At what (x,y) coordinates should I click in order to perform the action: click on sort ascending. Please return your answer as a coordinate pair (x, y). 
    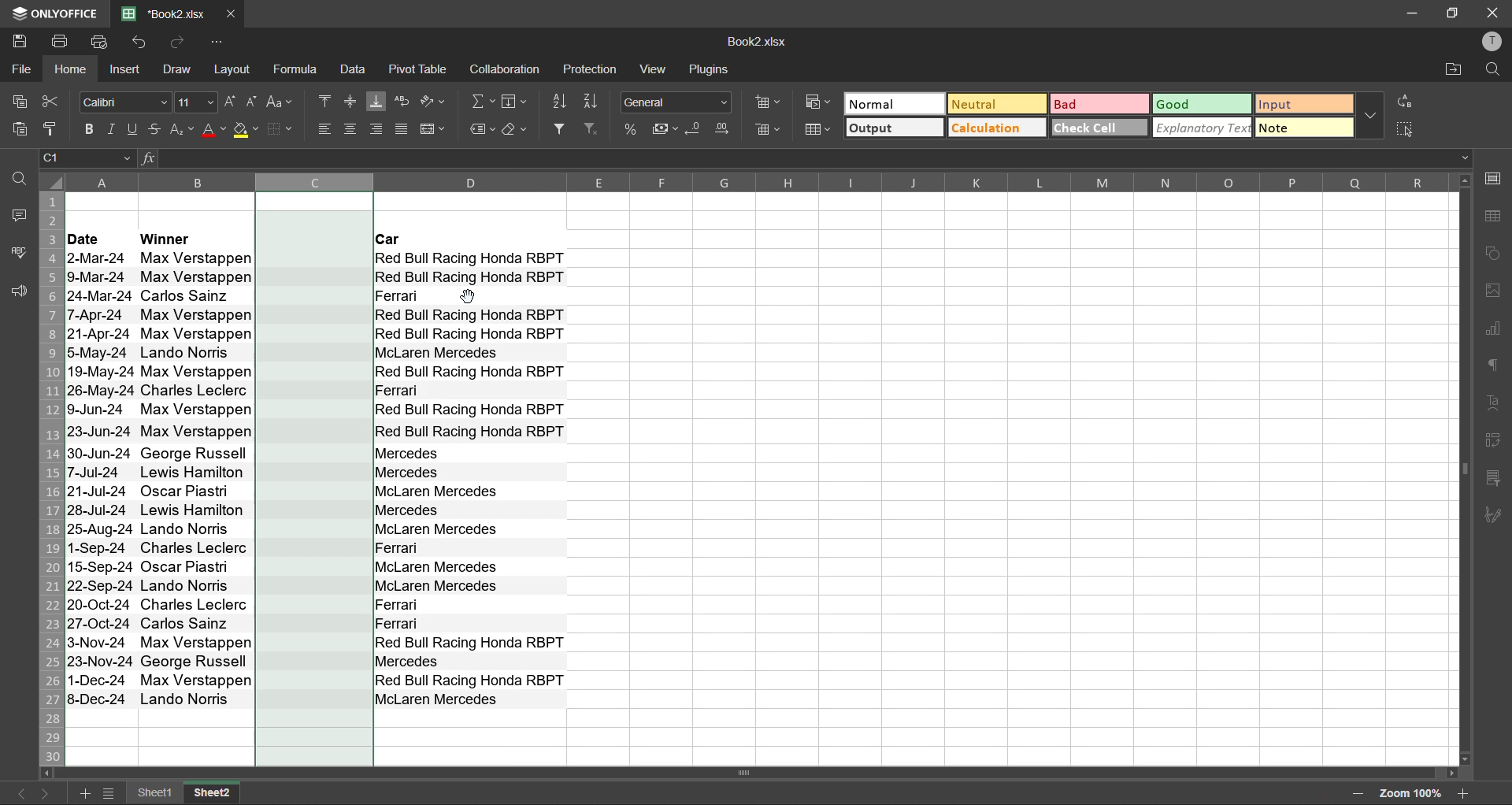
    Looking at the image, I should click on (562, 105).